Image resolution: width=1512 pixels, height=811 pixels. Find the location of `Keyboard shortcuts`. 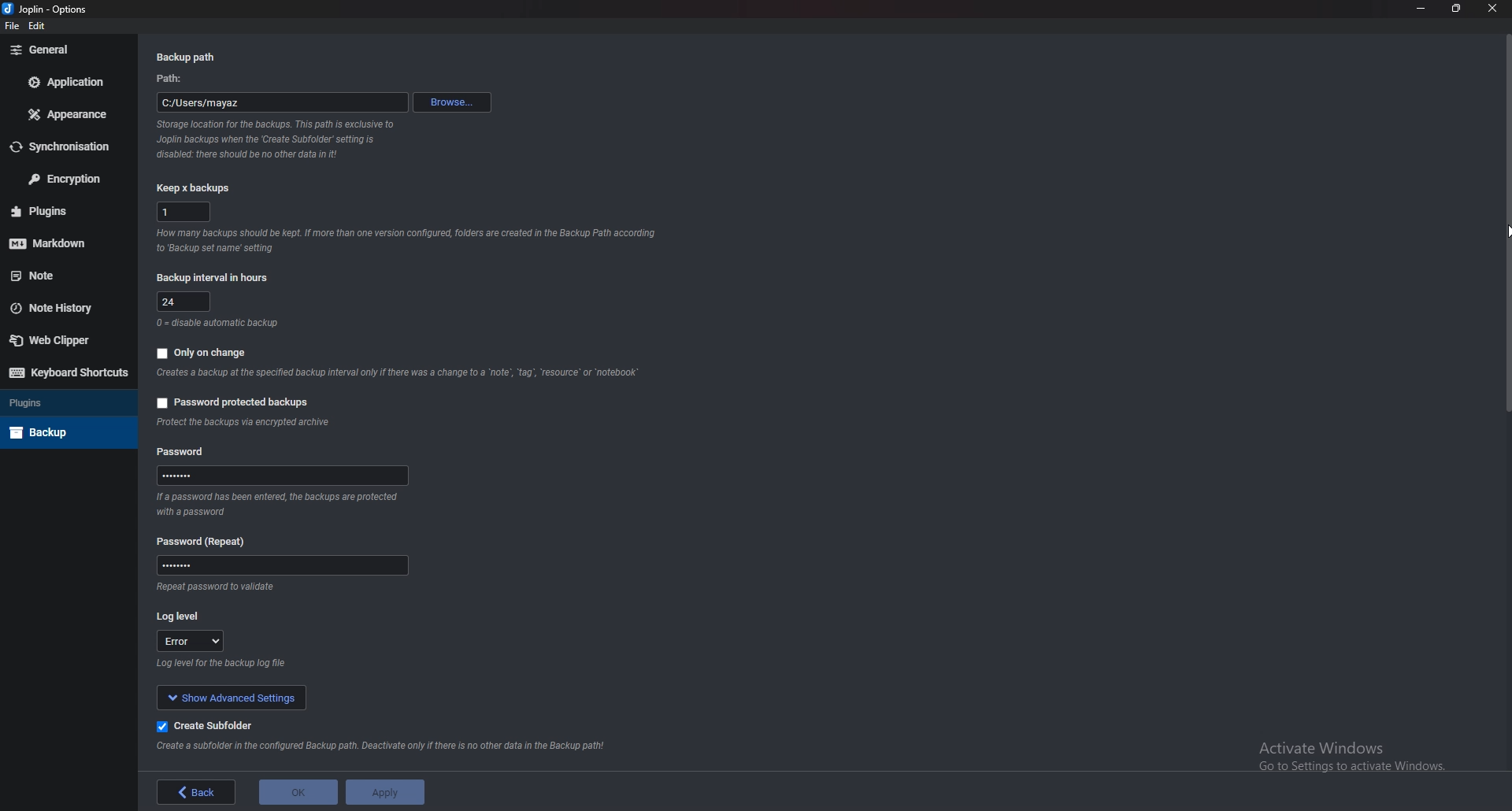

Keyboard shortcuts is located at coordinates (69, 372).